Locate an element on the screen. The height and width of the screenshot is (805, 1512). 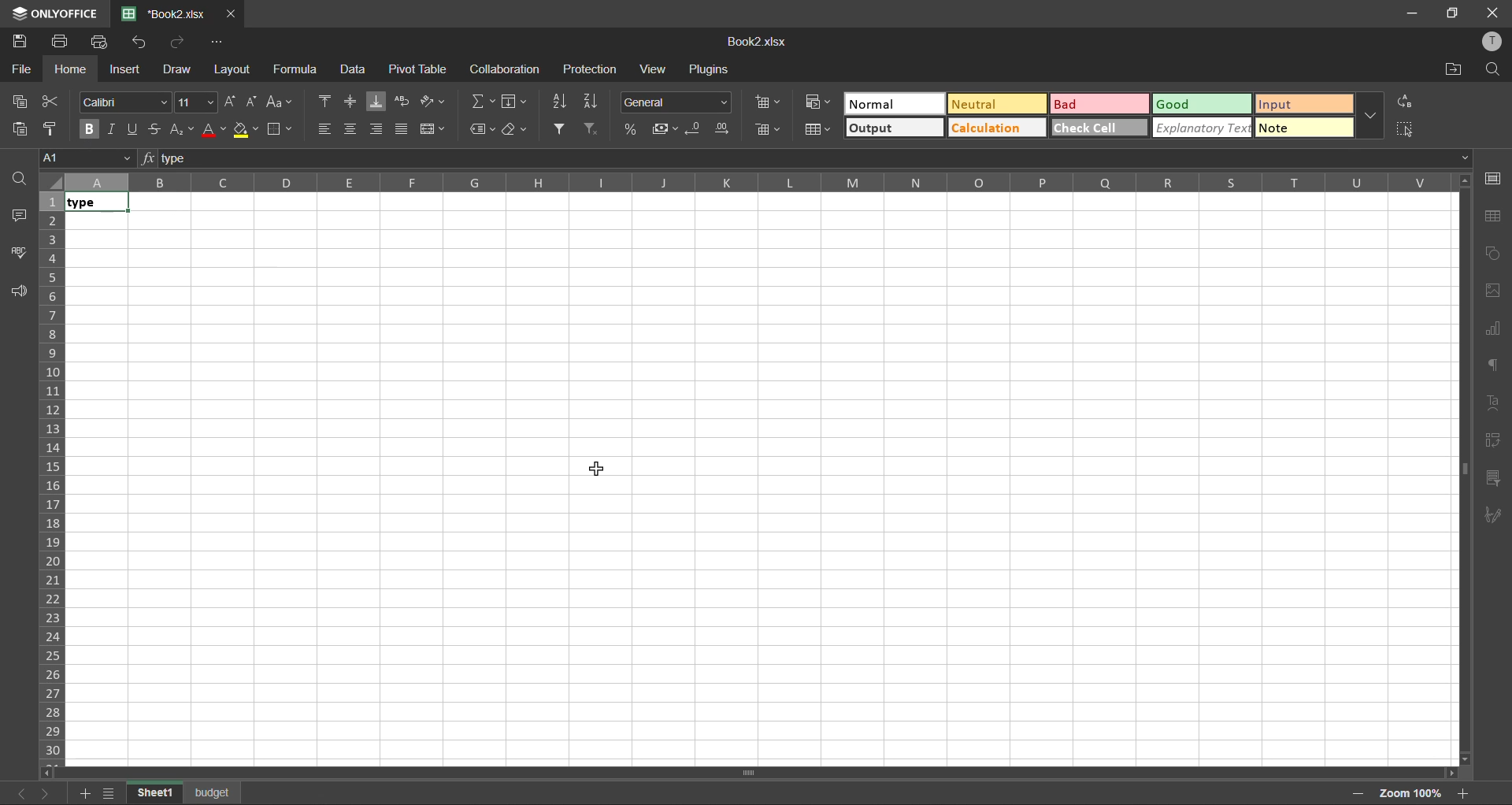
undo is located at coordinates (141, 43).